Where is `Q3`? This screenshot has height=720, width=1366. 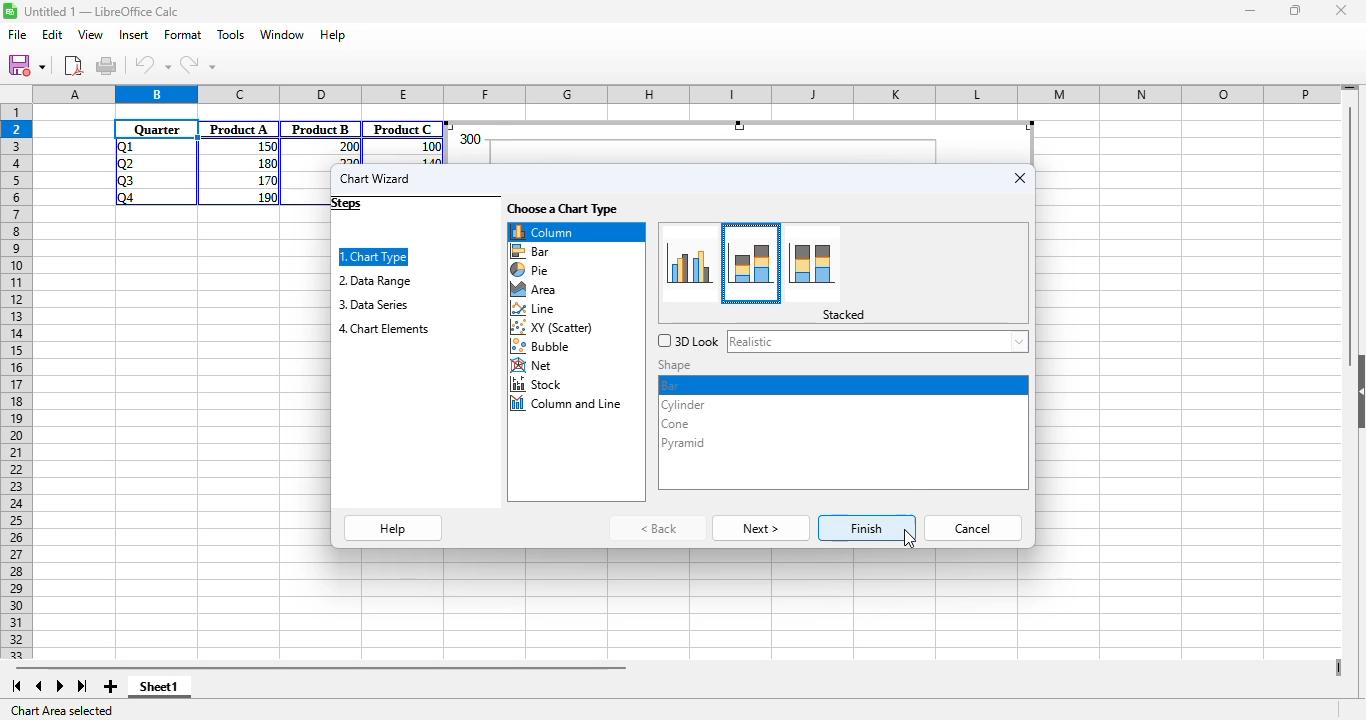 Q3 is located at coordinates (125, 181).